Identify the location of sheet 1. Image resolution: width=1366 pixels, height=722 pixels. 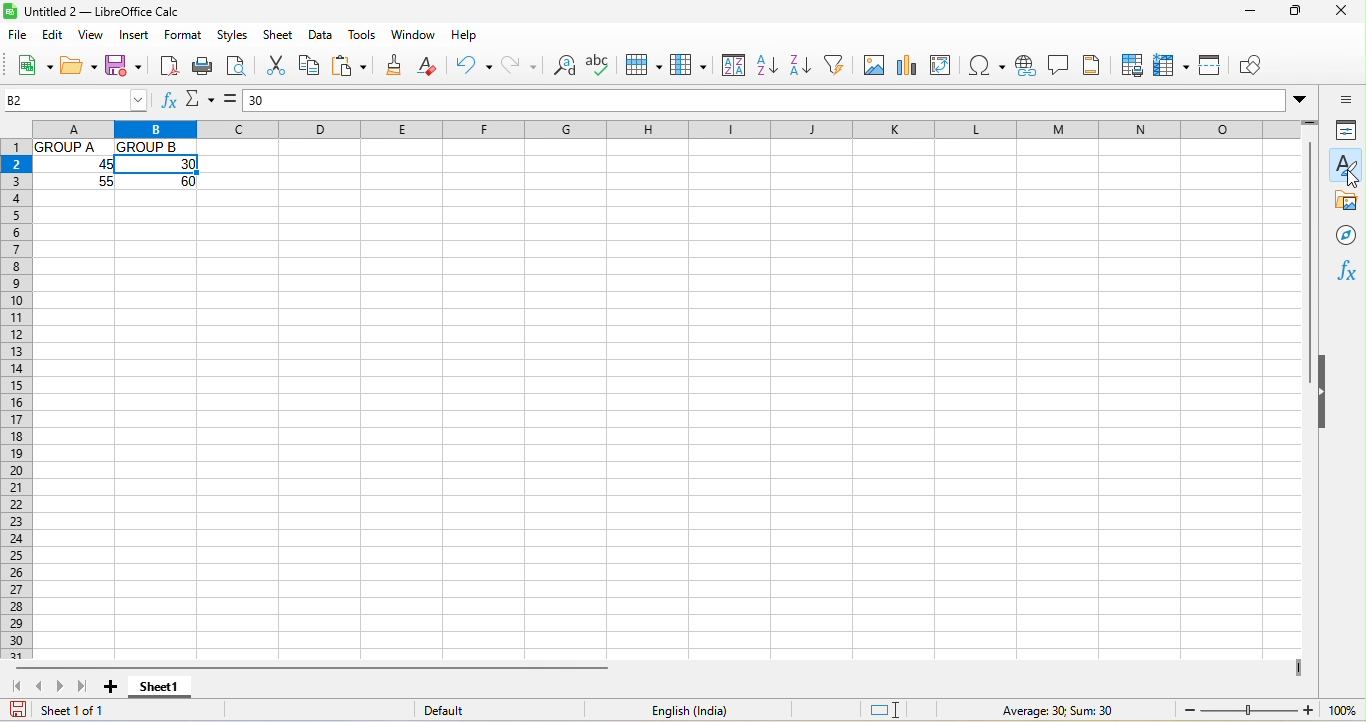
(166, 688).